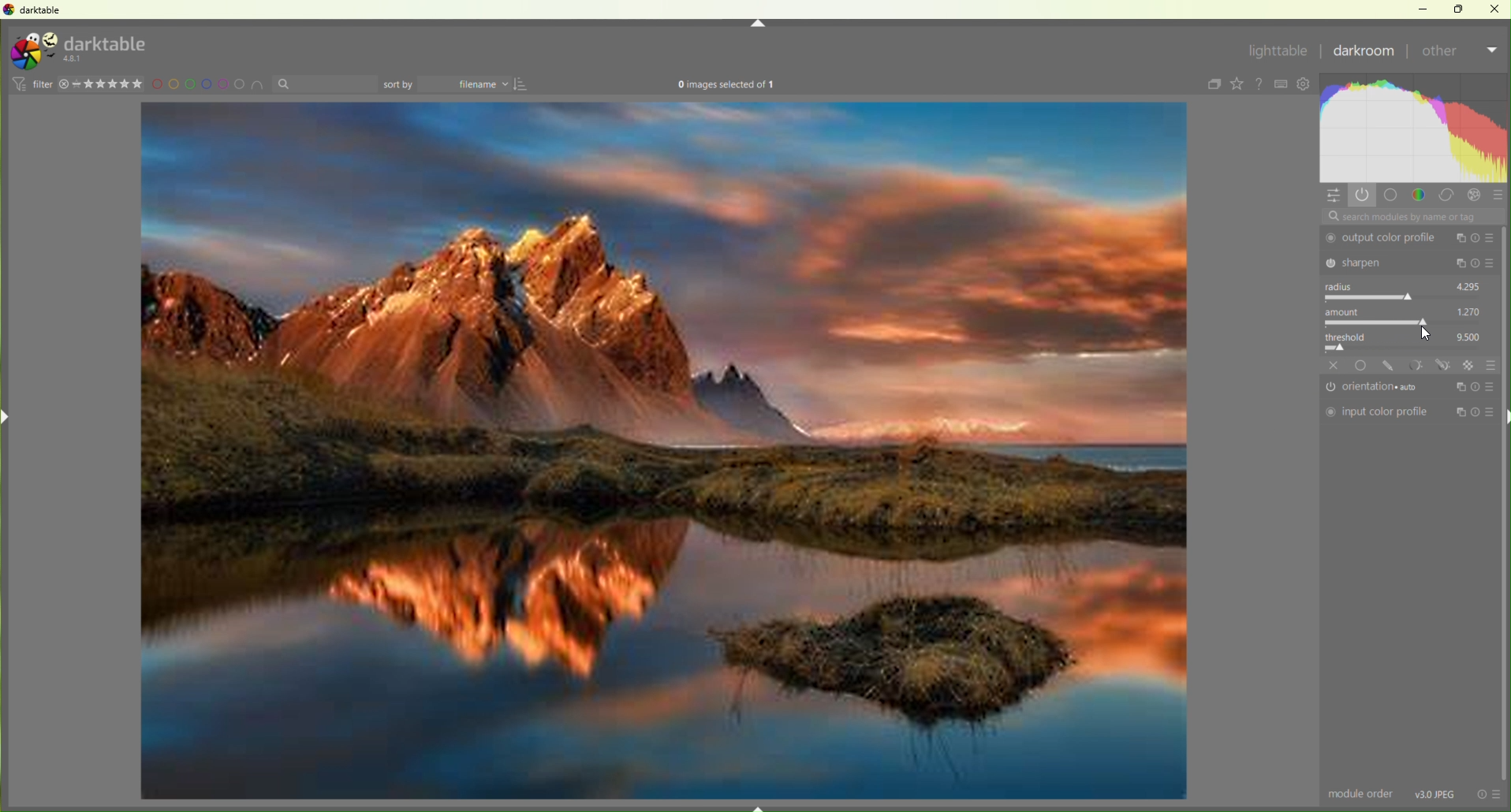 The width and height of the screenshot is (1511, 812). What do you see at coordinates (1458, 54) in the screenshot?
I see `Other` at bounding box center [1458, 54].